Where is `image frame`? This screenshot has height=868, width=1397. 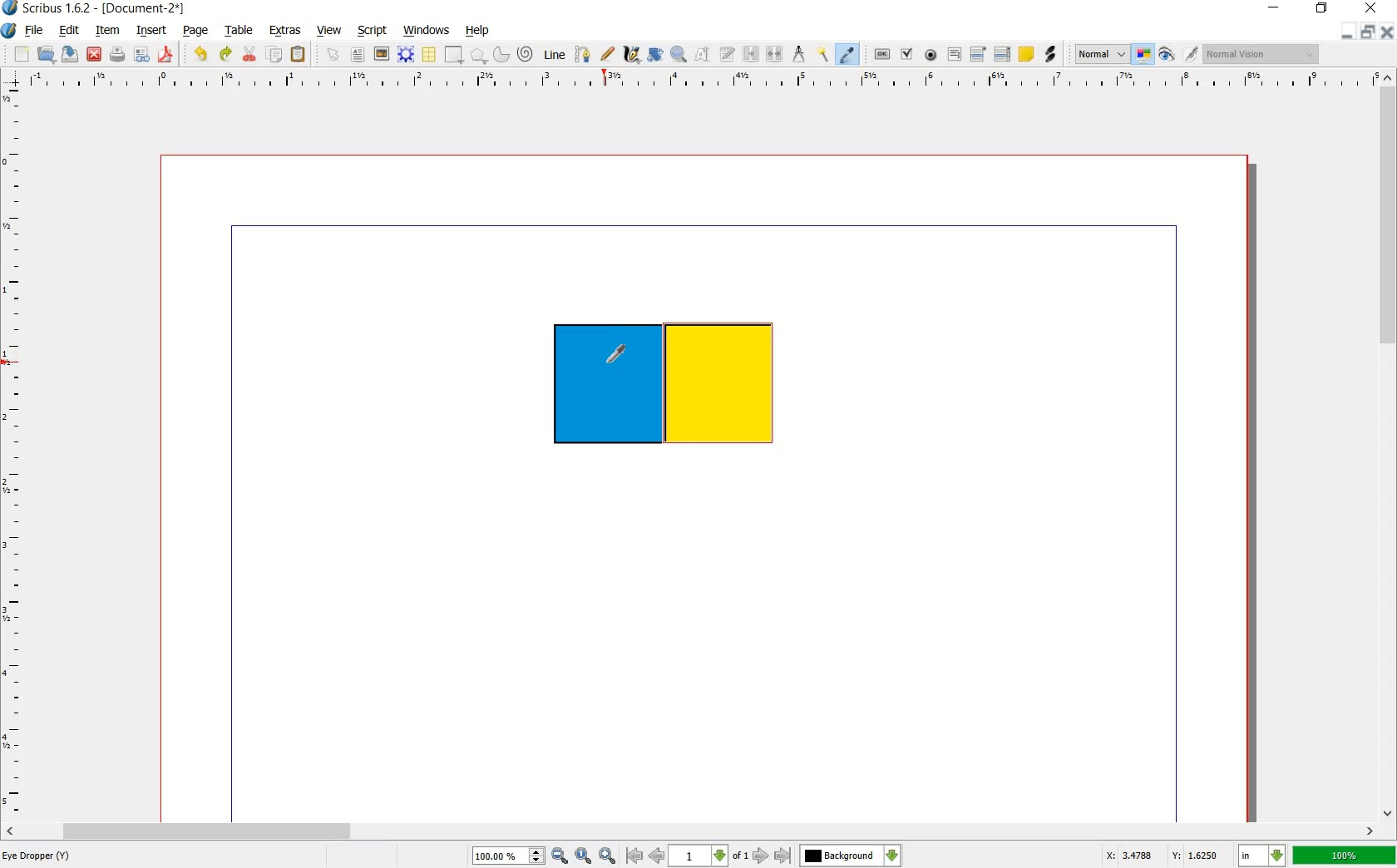 image frame is located at coordinates (381, 55).